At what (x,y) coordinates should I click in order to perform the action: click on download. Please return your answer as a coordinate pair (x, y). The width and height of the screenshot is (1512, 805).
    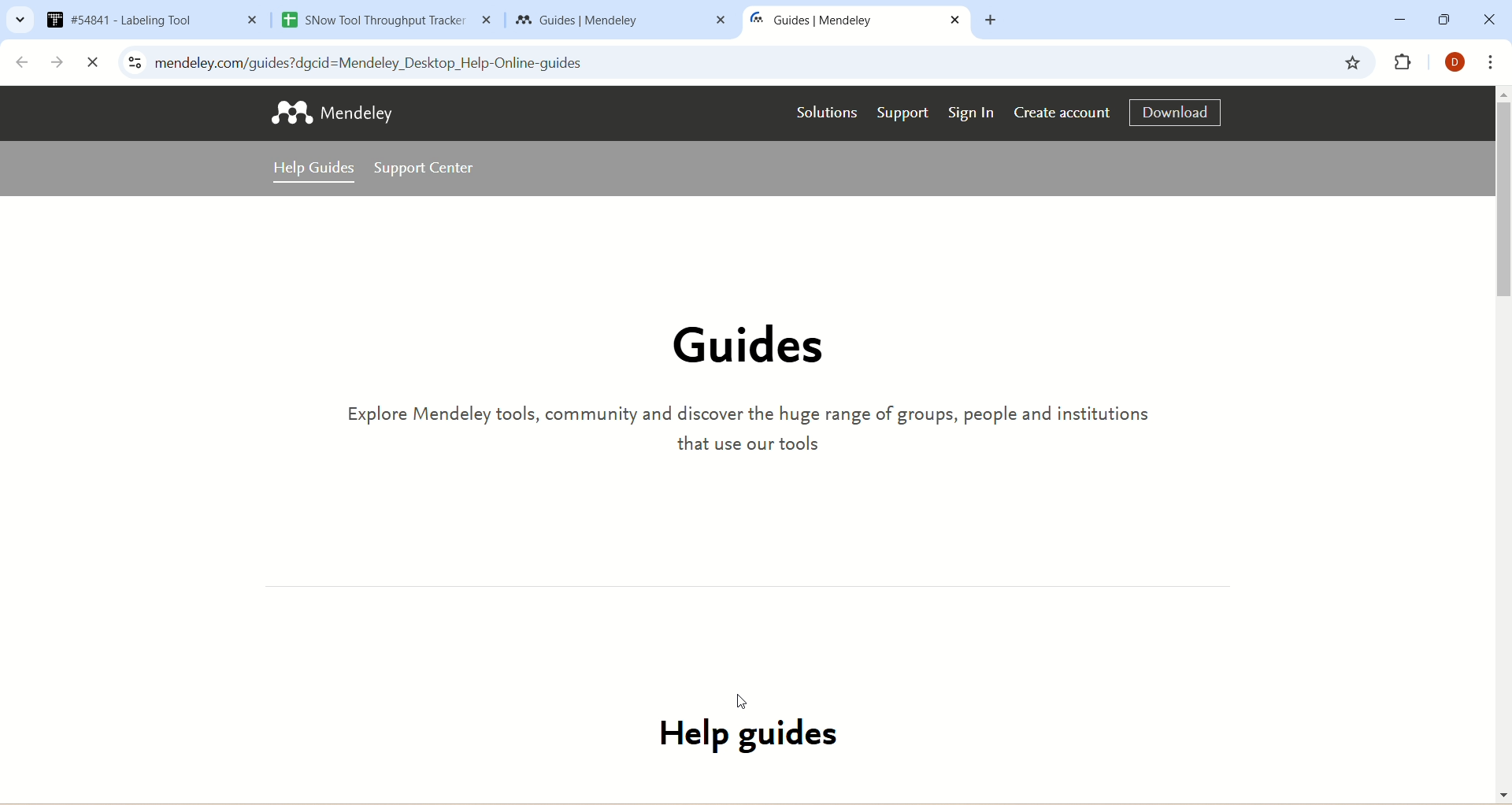
    Looking at the image, I should click on (1177, 114).